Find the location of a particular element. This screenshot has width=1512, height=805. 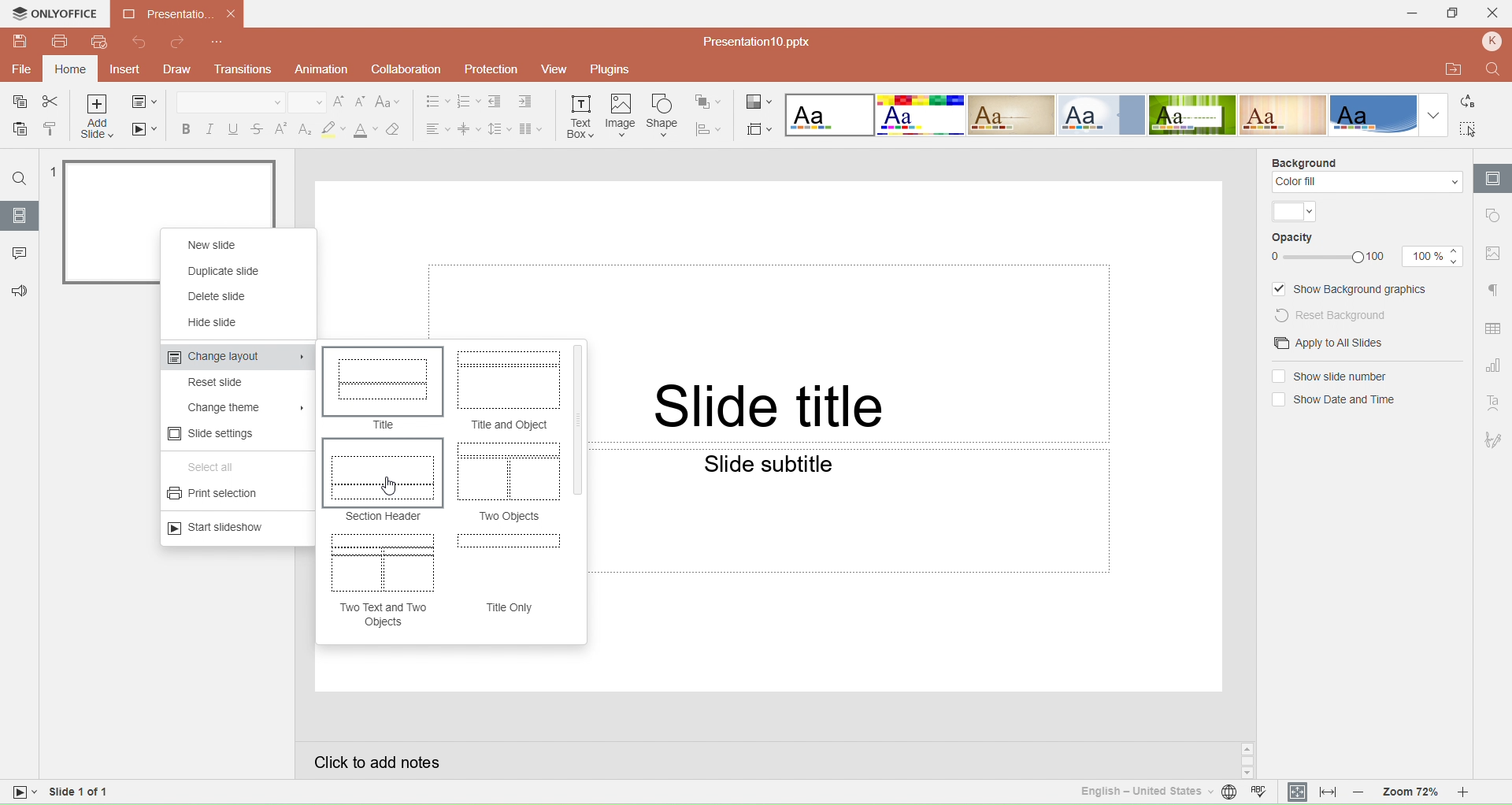

Change case is located at coordinates (390, 102).